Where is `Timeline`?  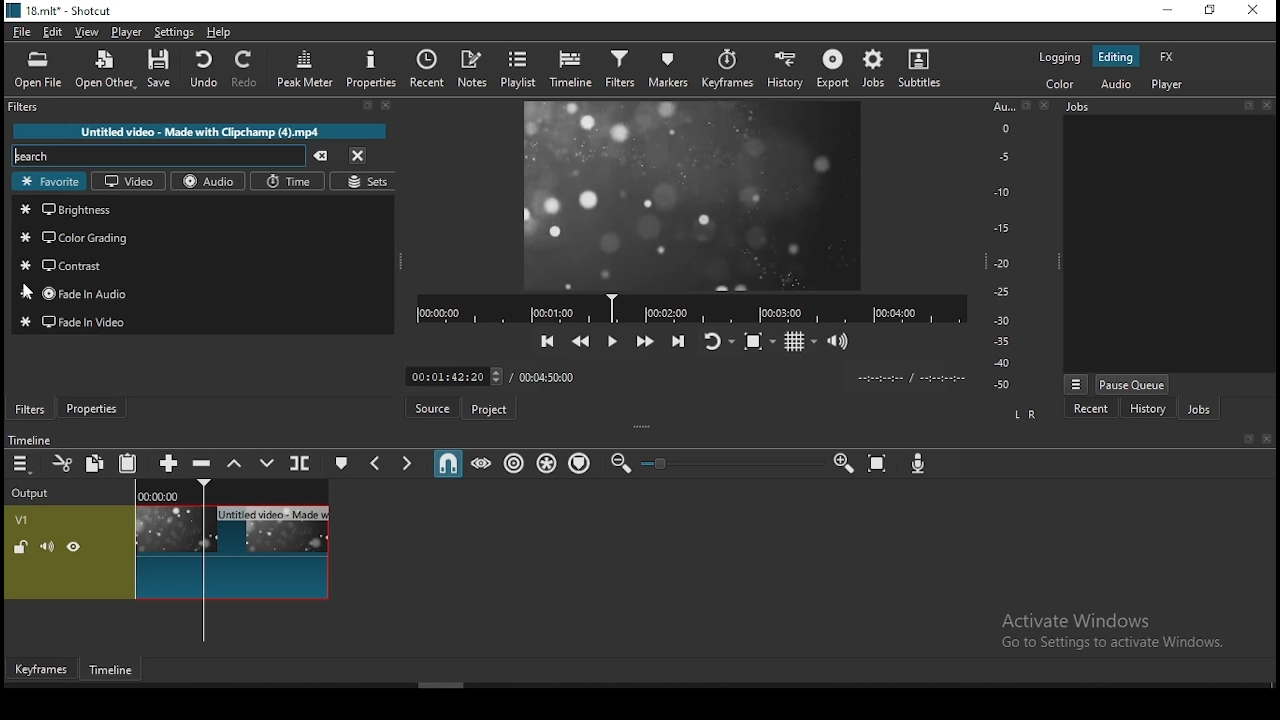
Timeline is located at coordinates (233, 490).